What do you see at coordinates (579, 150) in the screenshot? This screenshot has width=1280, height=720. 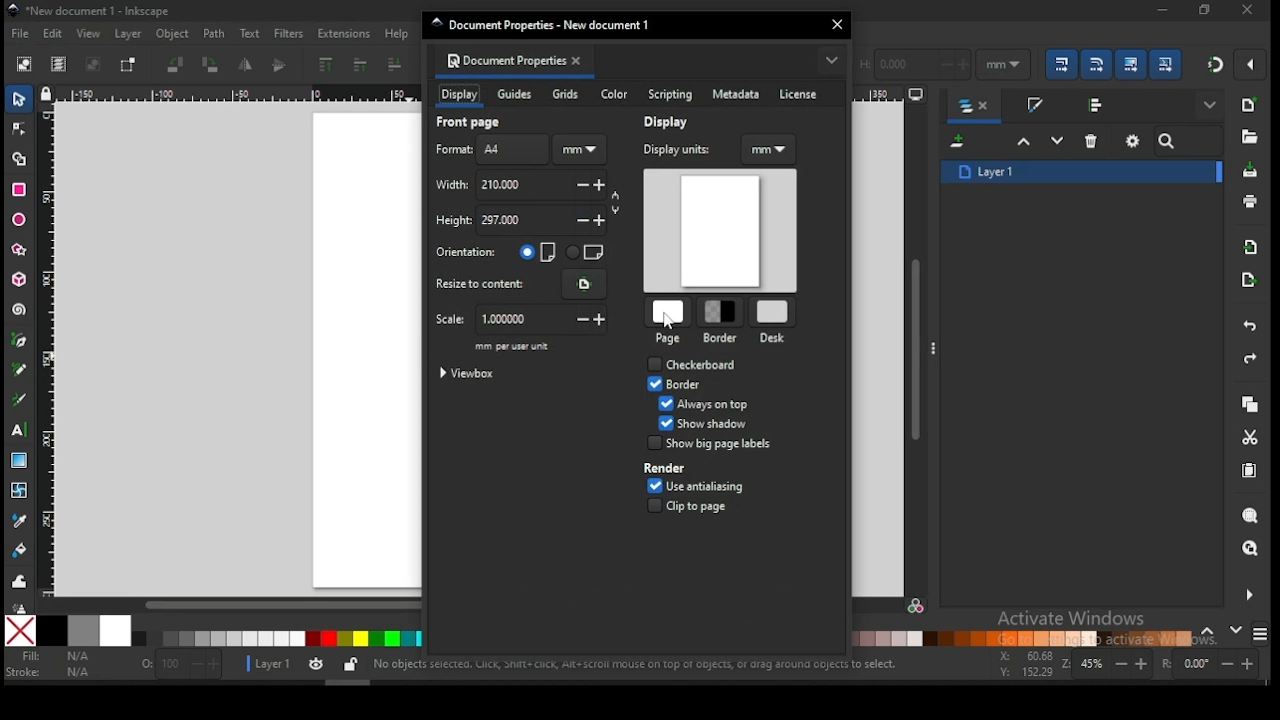 I see `units` at bounding box center [579, 150].